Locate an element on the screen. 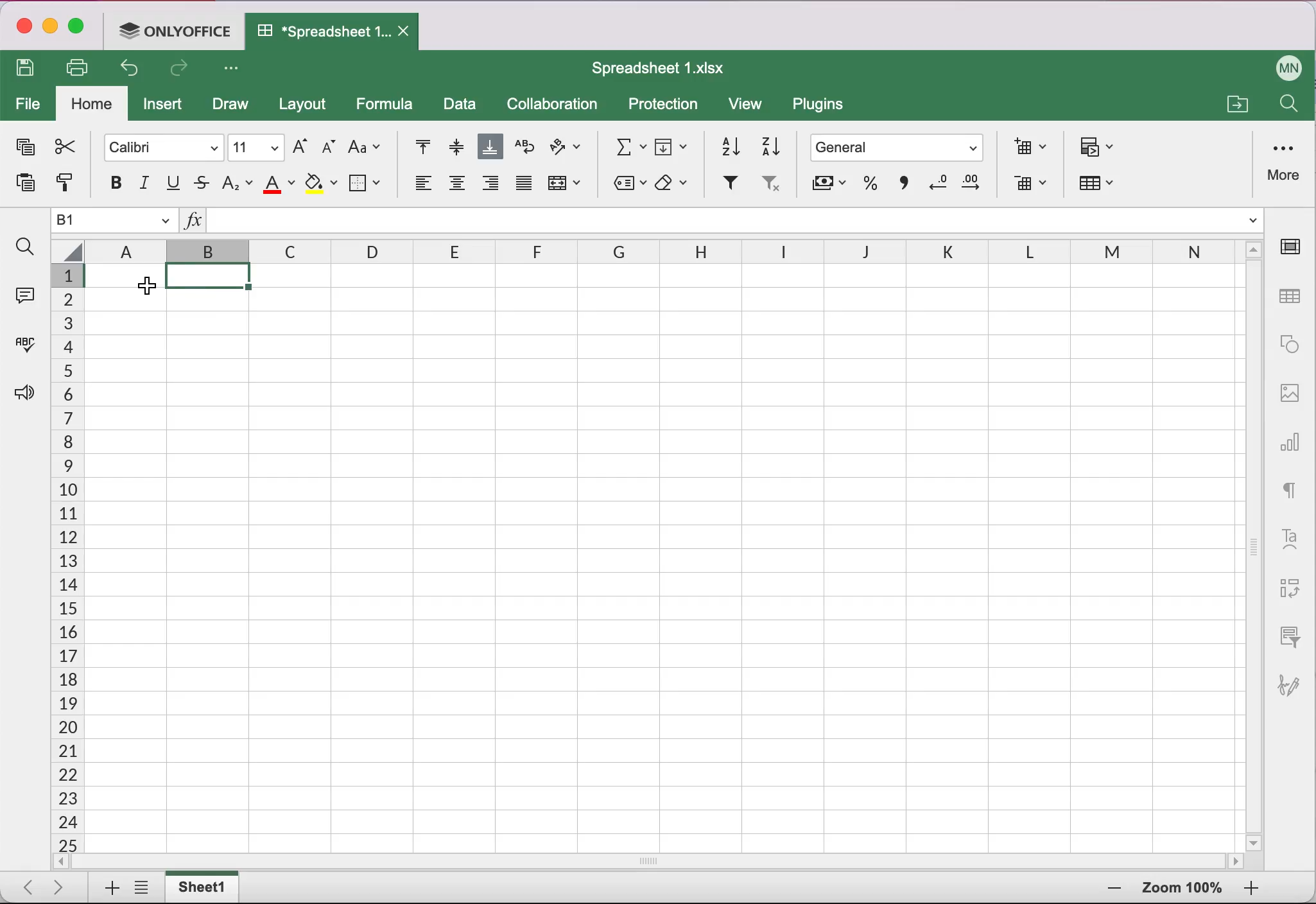 This screenshot has width=1316, height=904. accounting style is located at coordinates (827, 187).